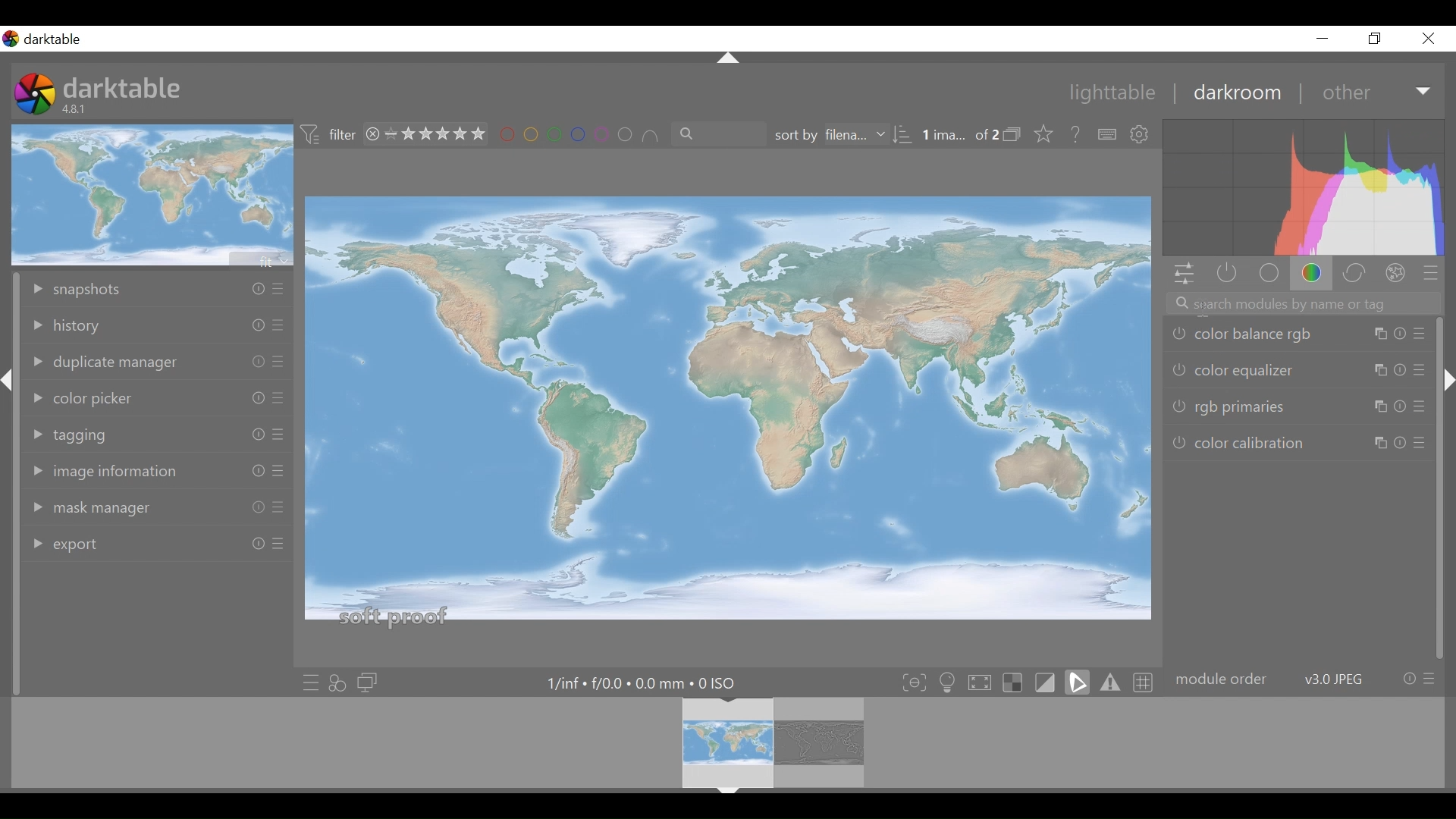 This screenshot has height=819, width=1456. Describe the element at coordinates (727, 58) in the screenshot. I see `expand/collapse` at that location.